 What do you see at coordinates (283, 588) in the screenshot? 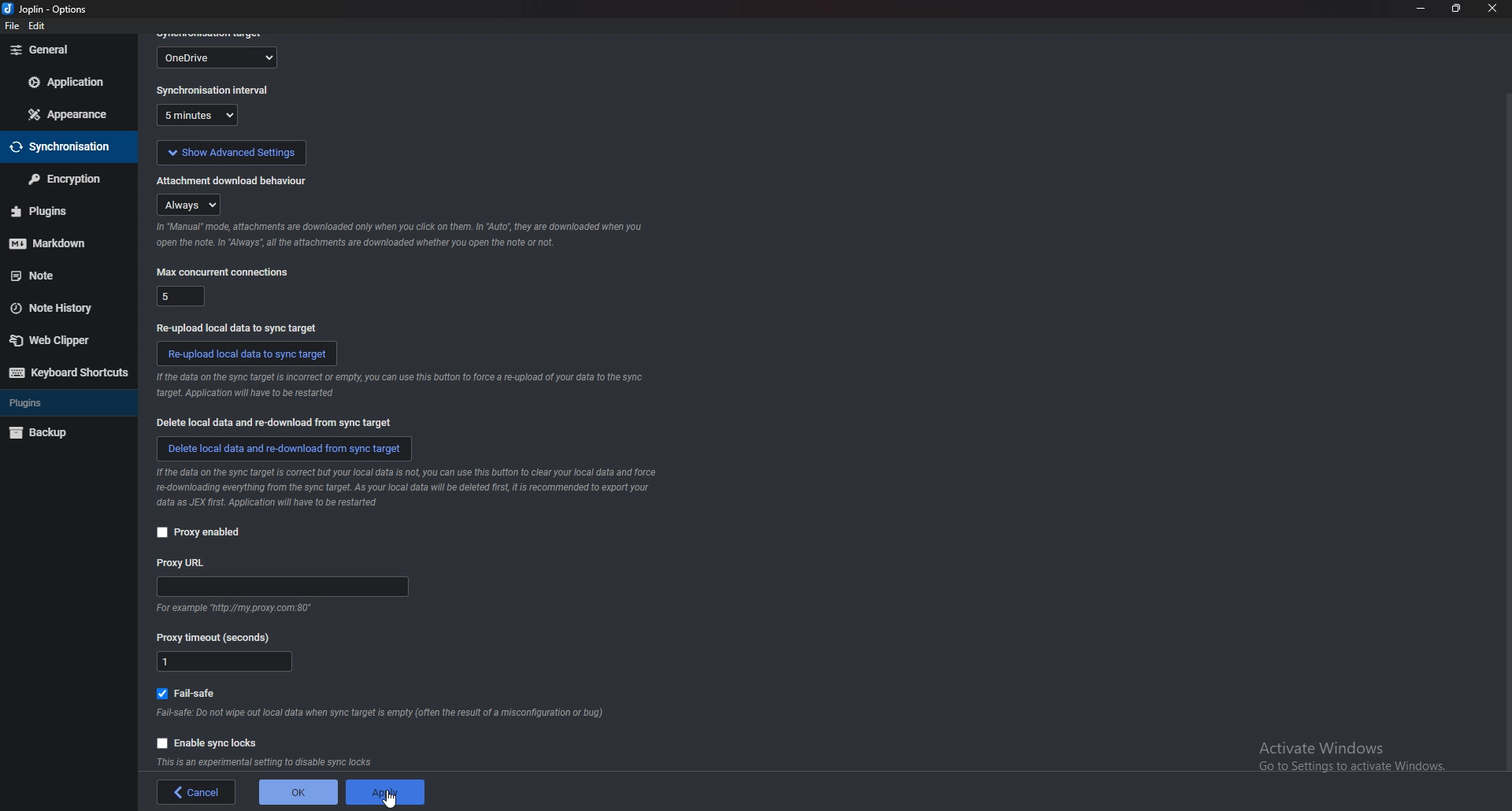
I see `proxy url` at bounding box center [283, 588].